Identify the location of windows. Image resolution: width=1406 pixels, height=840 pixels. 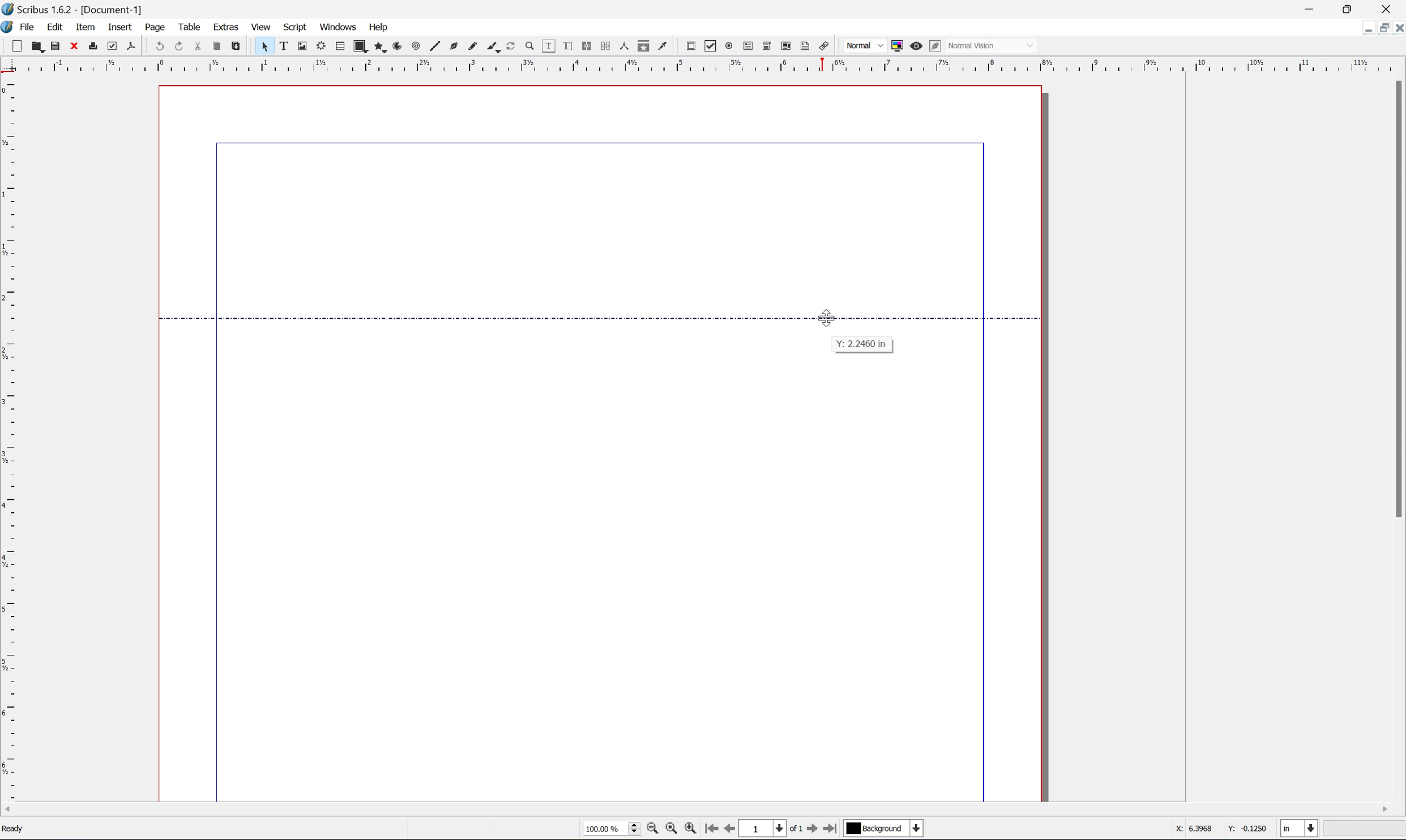
(338, 25).